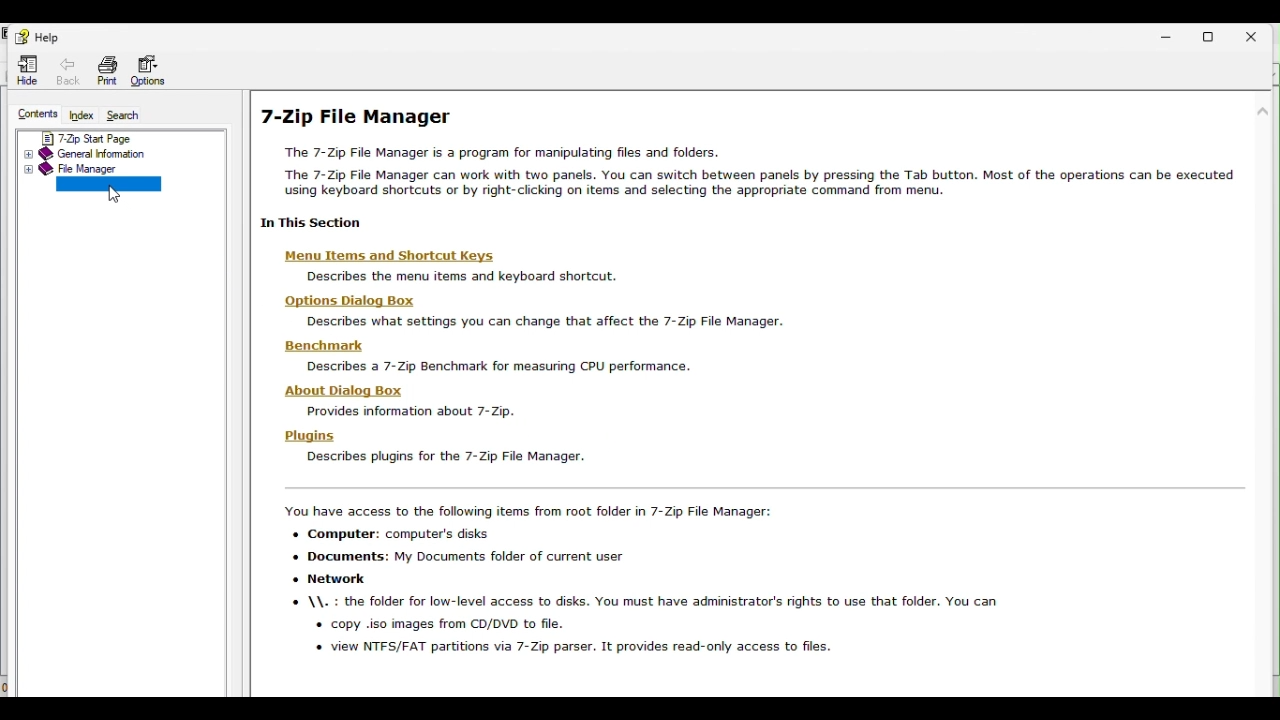 This screenshot has width=1280, height=720. What do you see at coordinates (435, 412) in the screenshot?
I see `information about 7zip` at bounding box center [435, 412].